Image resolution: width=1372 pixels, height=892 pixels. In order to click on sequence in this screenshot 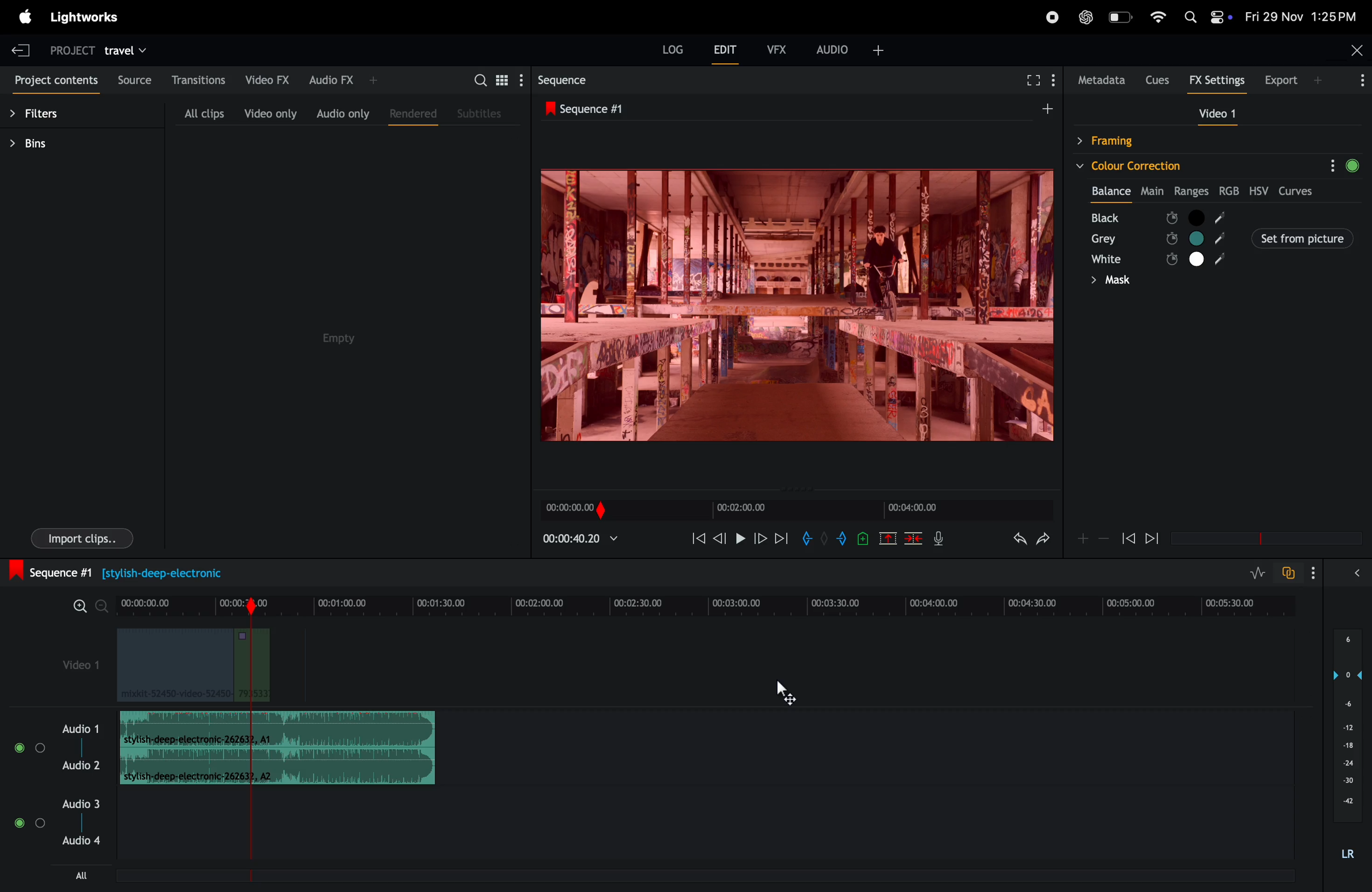, I will do `click(575, 80)`.